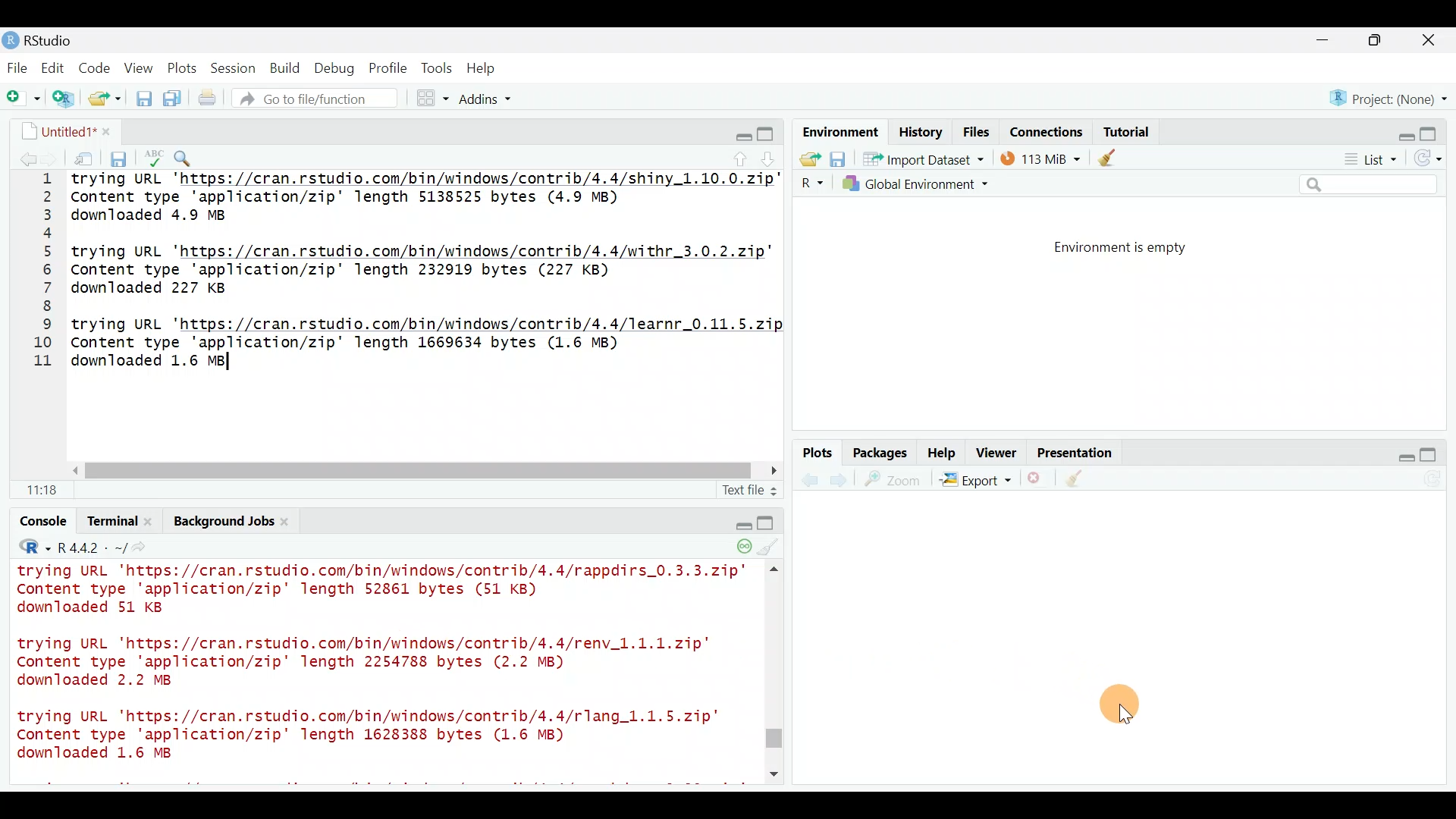 This screenshot has width=1456, height=819. Describe the element at coordinates (1379, 39) in the screenshot. I see `maximize` at that location.